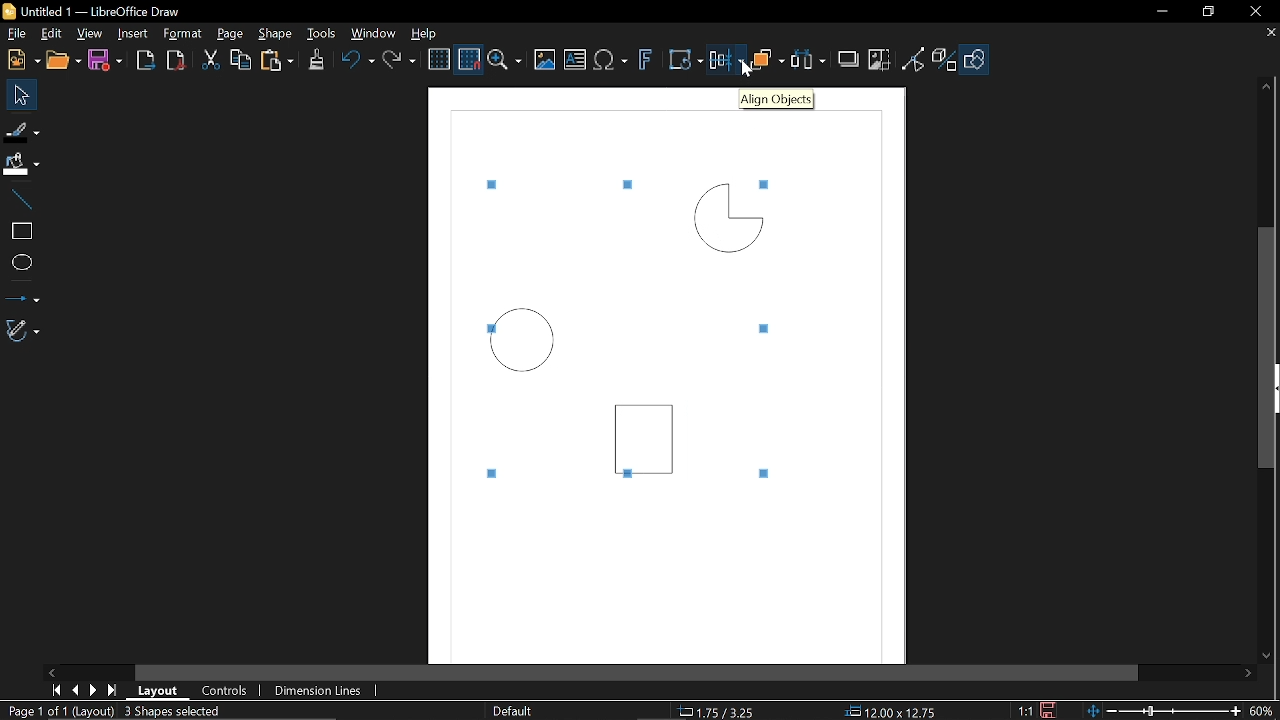  What do you see at coordinates (25, 295) in the screenshot?
I see `Lines and arrows` at bounding box center [25, 295].